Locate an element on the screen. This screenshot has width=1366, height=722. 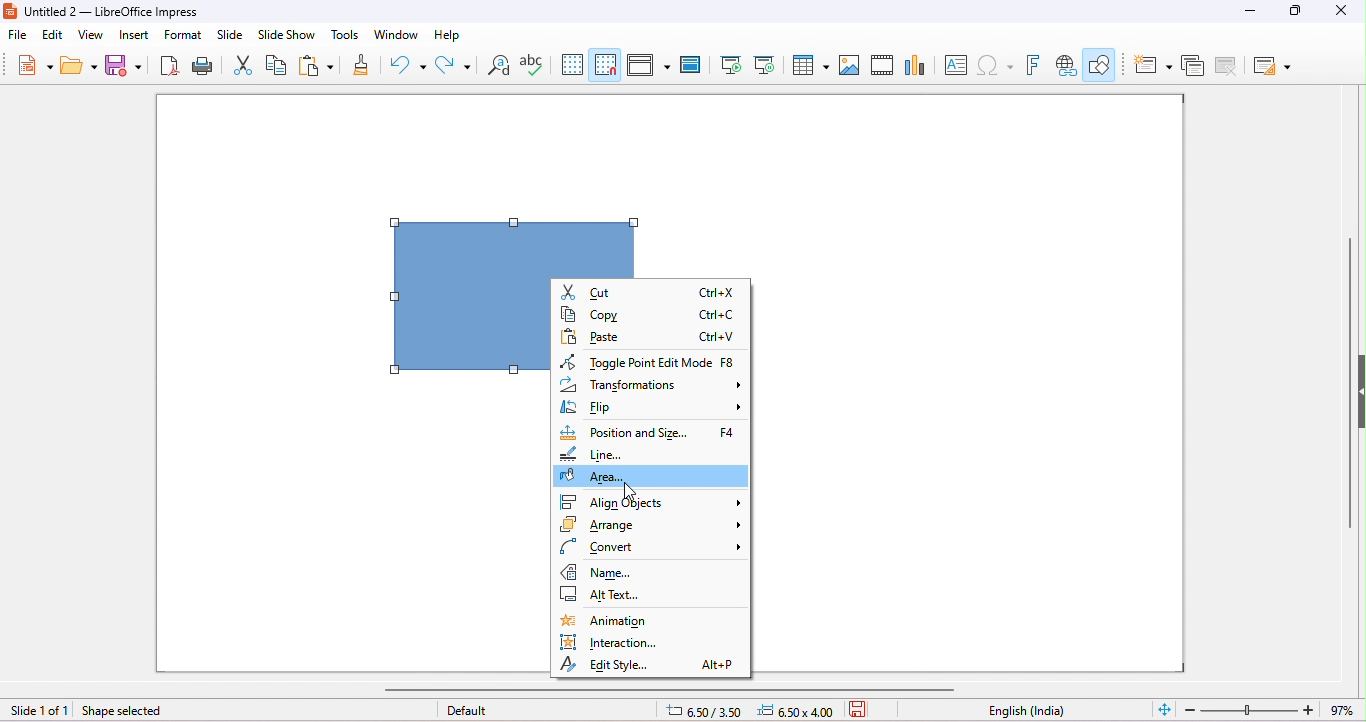
open is located at coordinates (79, 65).